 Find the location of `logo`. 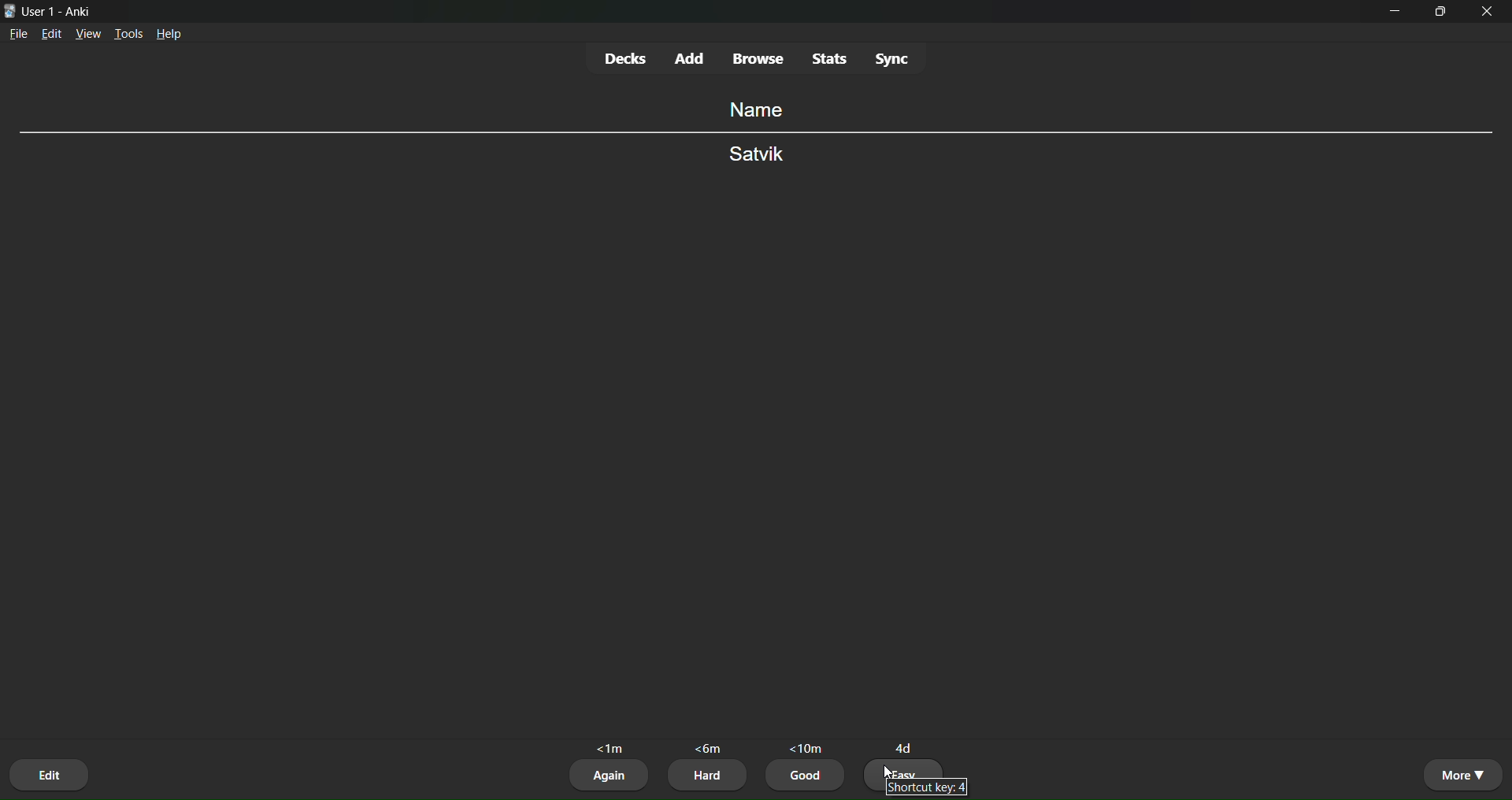

logo is located at coordinates (9, 9).